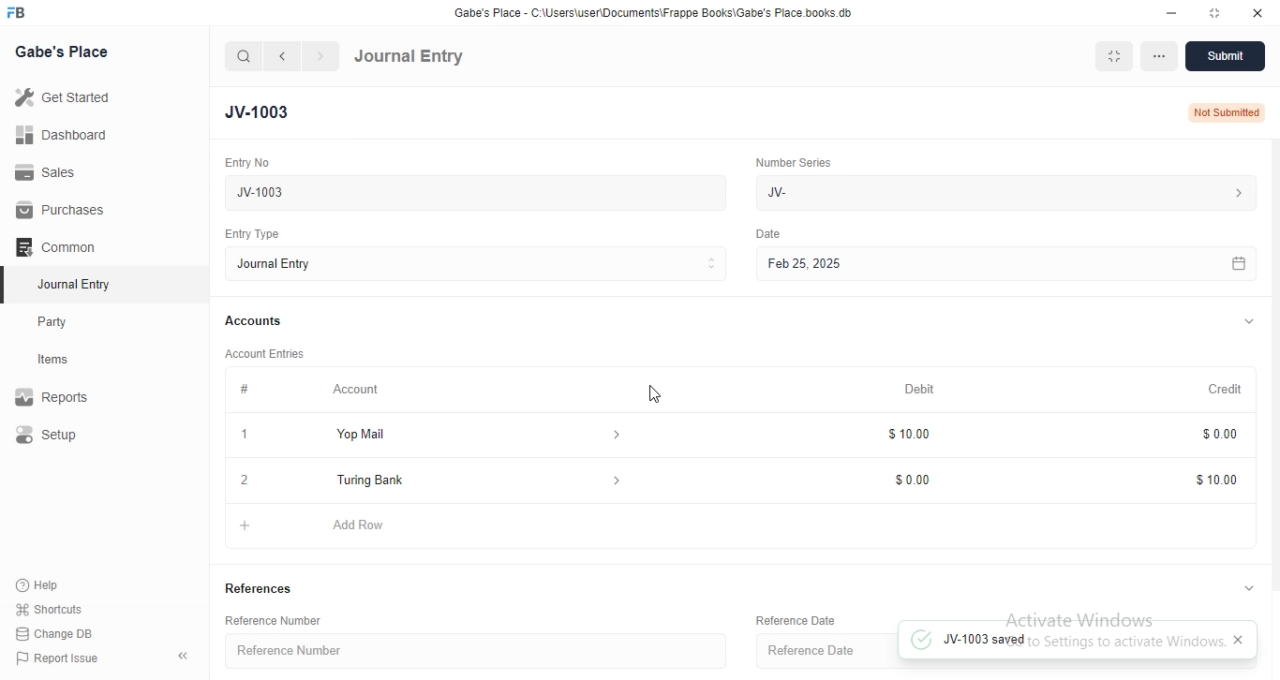  Describe the element at coordinates (245, 435) in the screenshot. I see `1` at that location.